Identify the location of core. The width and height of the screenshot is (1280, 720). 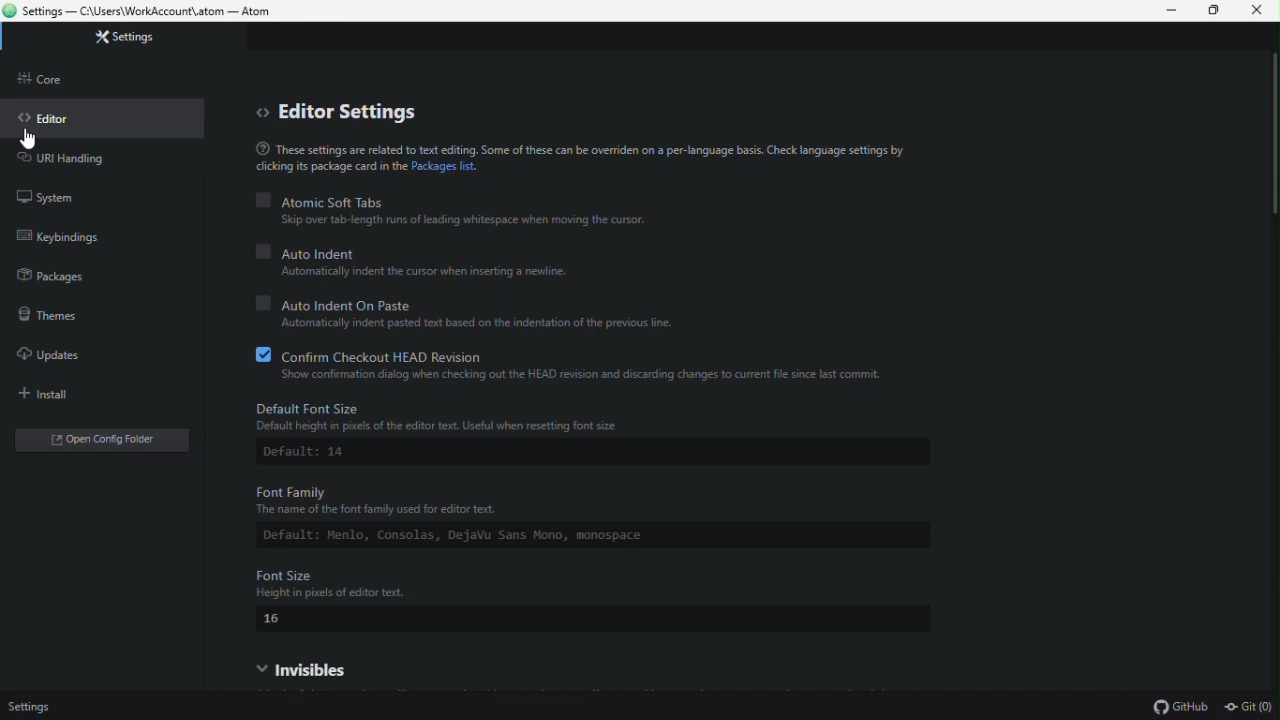
(51, 84).